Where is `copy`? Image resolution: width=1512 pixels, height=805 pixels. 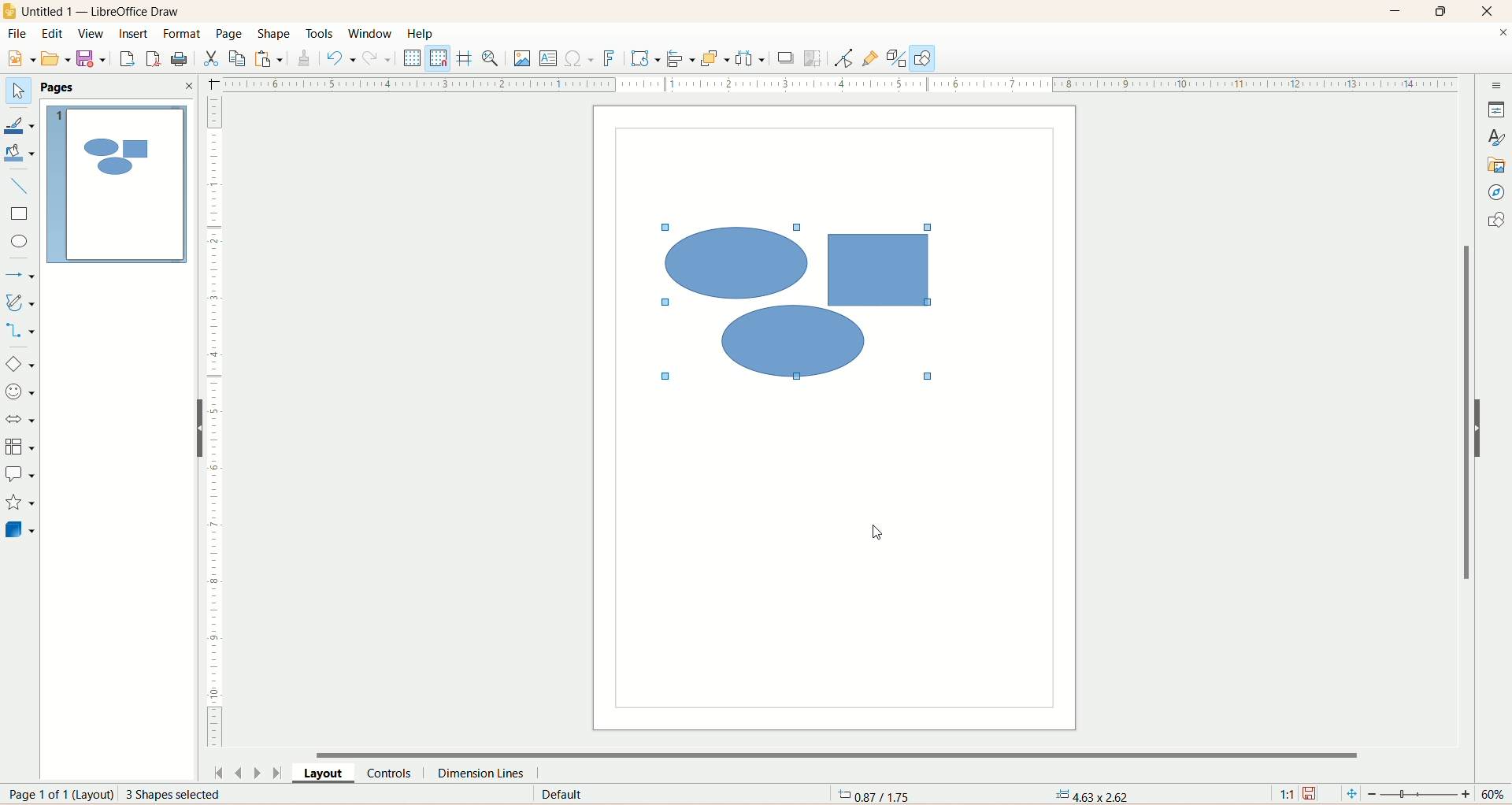 copy is located at coordinates (239, 59).